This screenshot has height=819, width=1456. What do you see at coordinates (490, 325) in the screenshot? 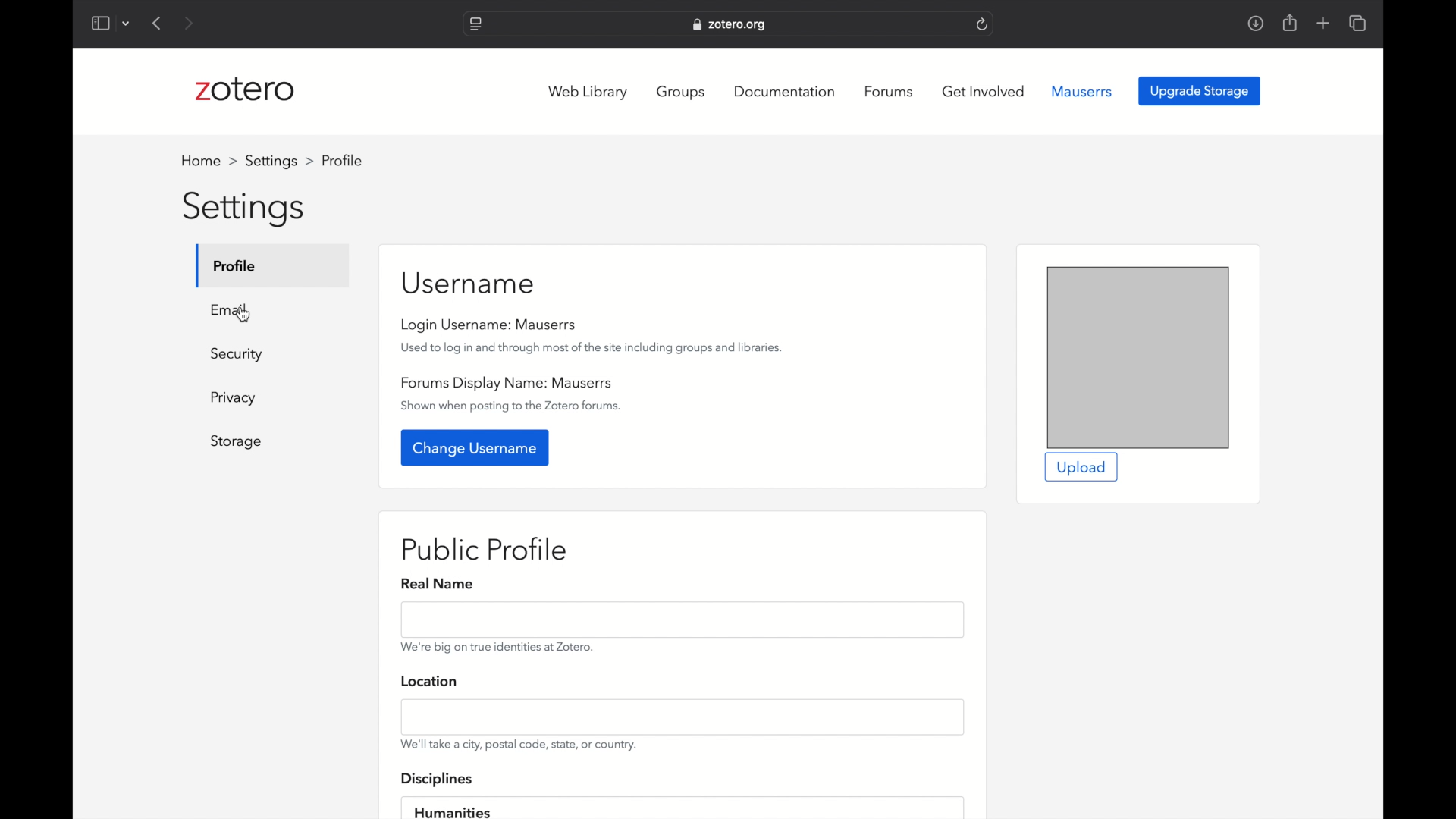
I see `login username: mauserrs` at bounding box center [490, 325].